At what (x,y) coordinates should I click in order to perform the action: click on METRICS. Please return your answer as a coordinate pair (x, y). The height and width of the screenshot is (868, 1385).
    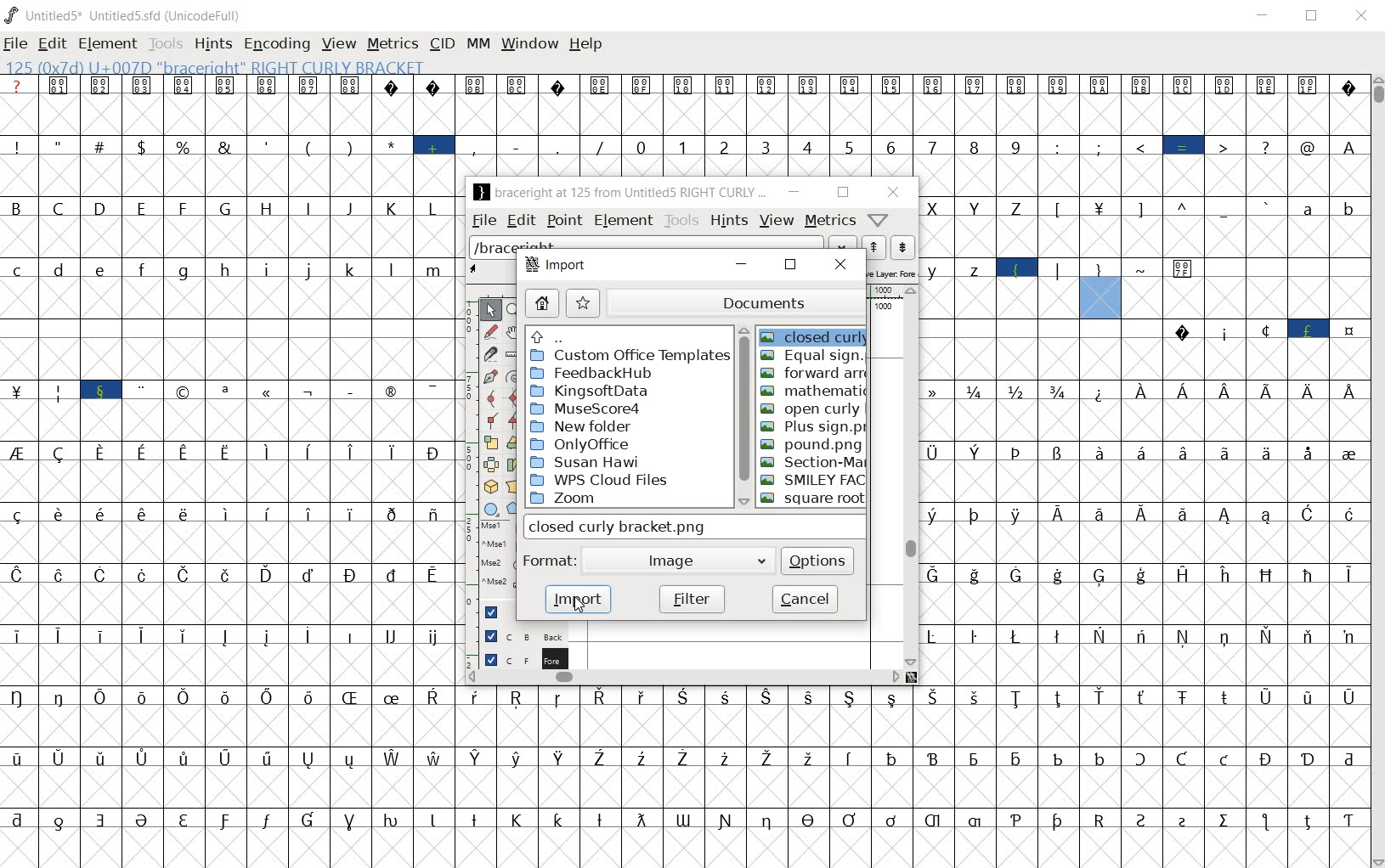
    Looking at the image, I should click on (392, 45).